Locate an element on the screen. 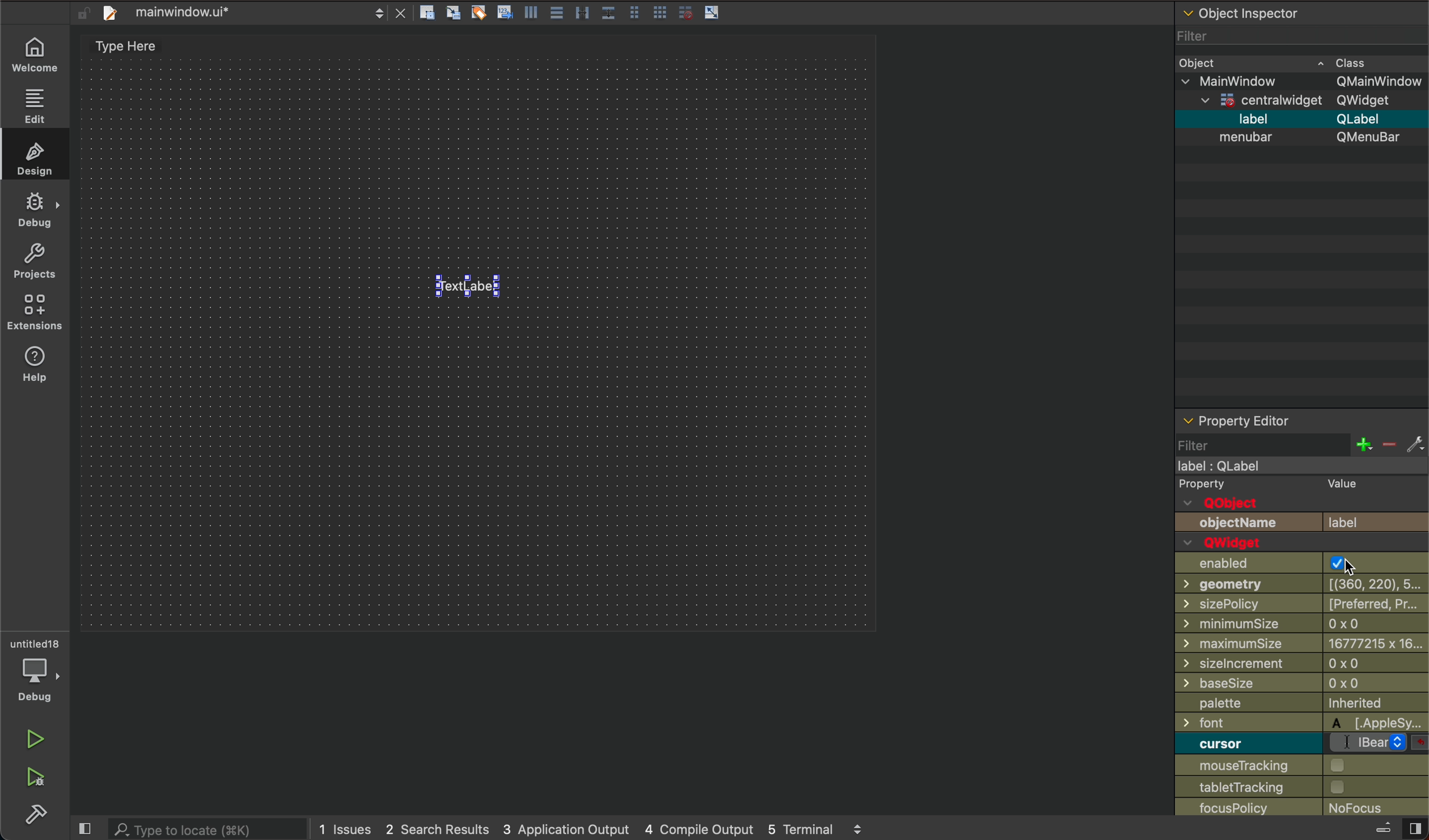  Qlable is located at coordinates (1360, 117).